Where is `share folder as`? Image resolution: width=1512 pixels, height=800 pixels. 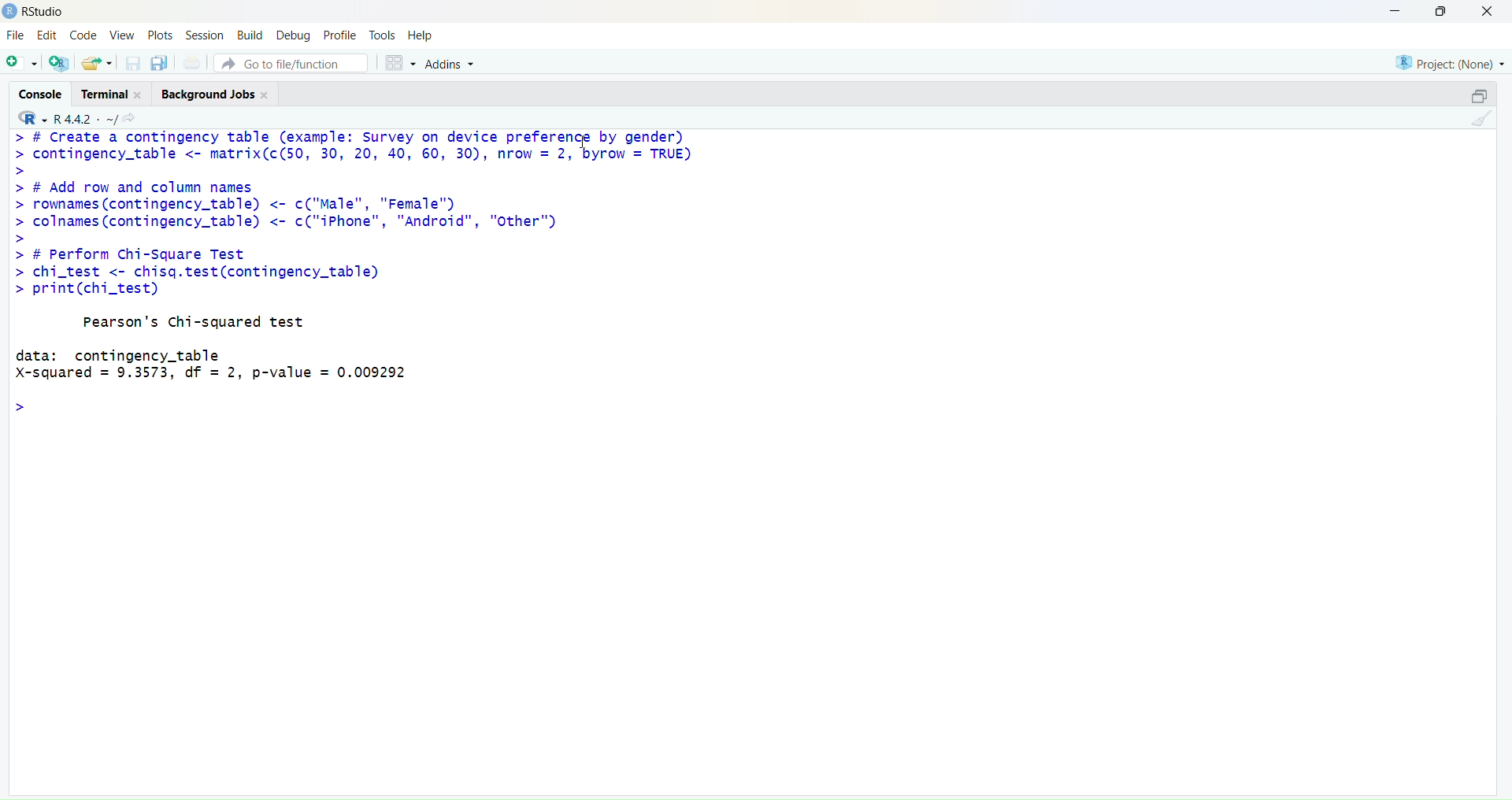 share folder as is located at coordinates (96, 62).